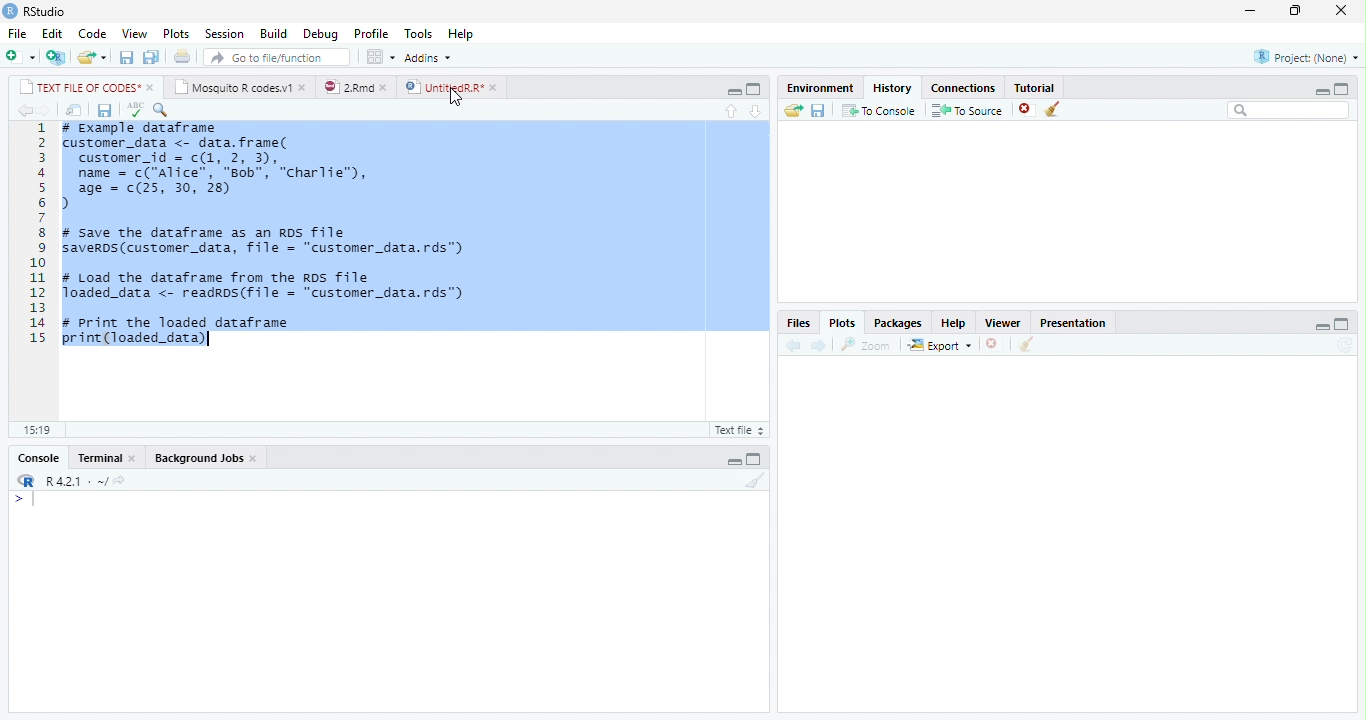 The height and width of the screenshot is (720, 1366). I want to click on ABC, so click(135, 110).